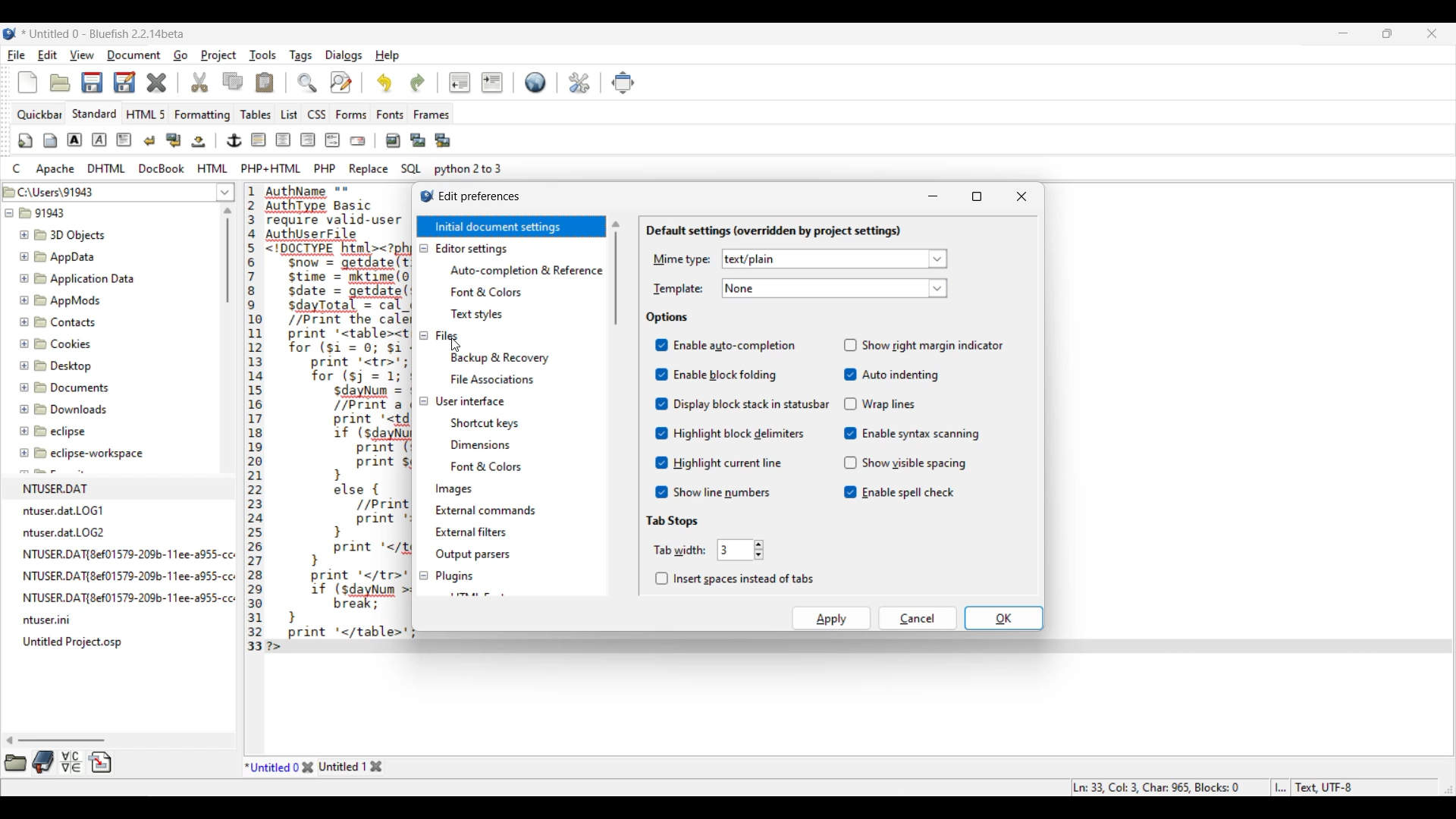  Describe the element at coordinates (938, 274) in the screenshot. I see `List options under Default settings` at that location.